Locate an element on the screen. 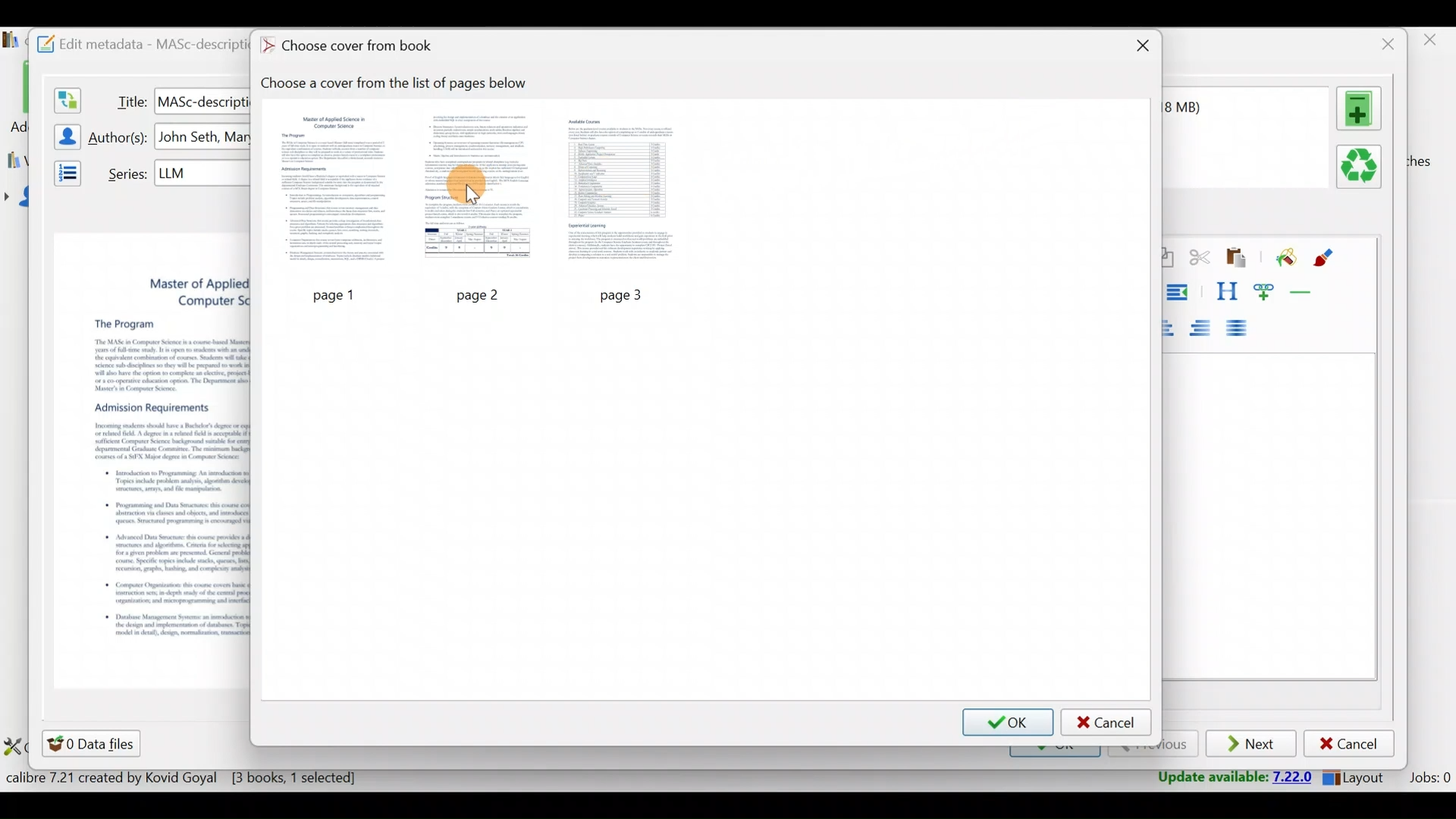 The height and width of the screenshot is (819, 1456).  is located at coordinates (628, 293).